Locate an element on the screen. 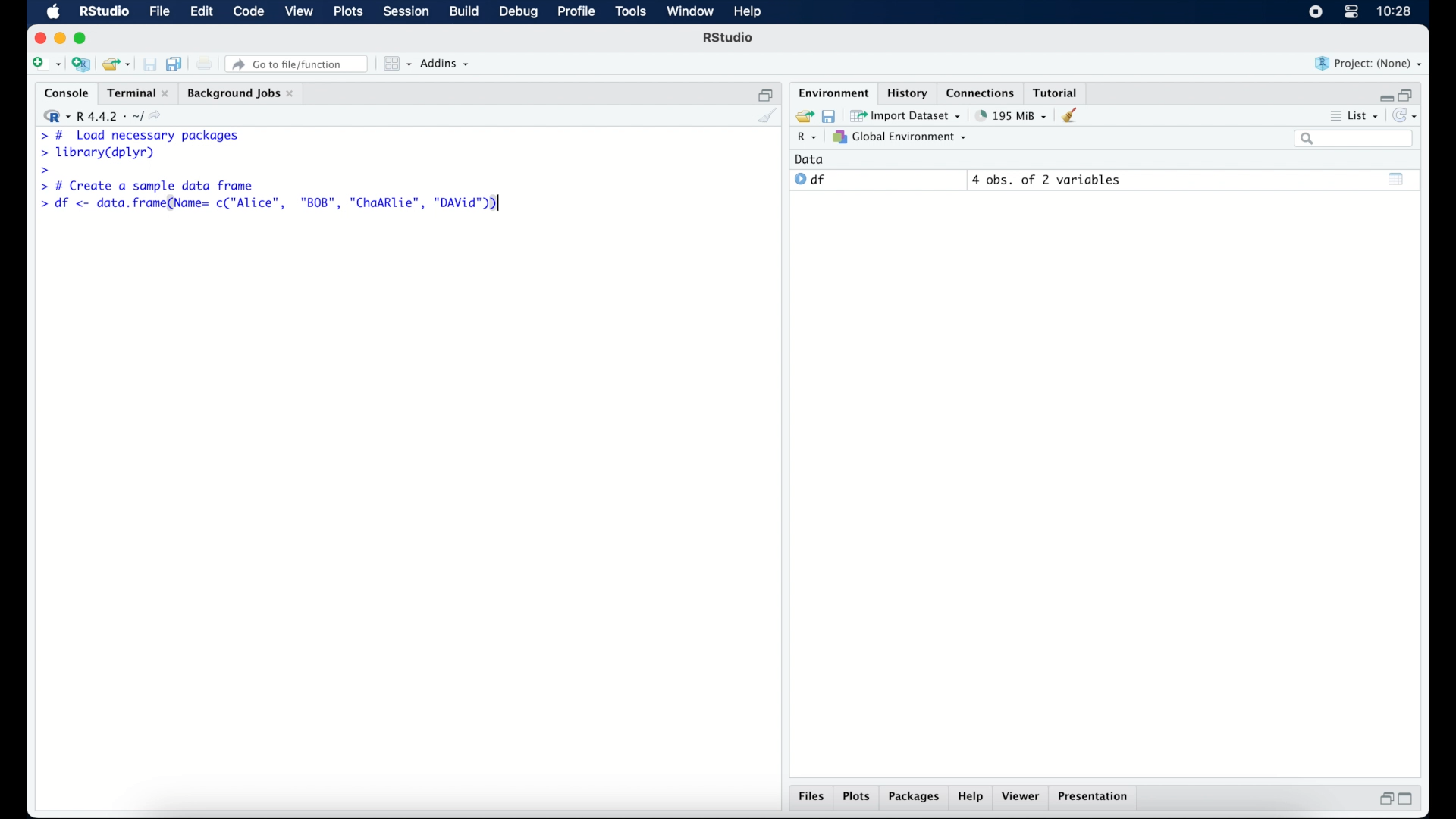 The width and height of the screenshot is (1456, 819). connections is located at coordinates (982, 92).